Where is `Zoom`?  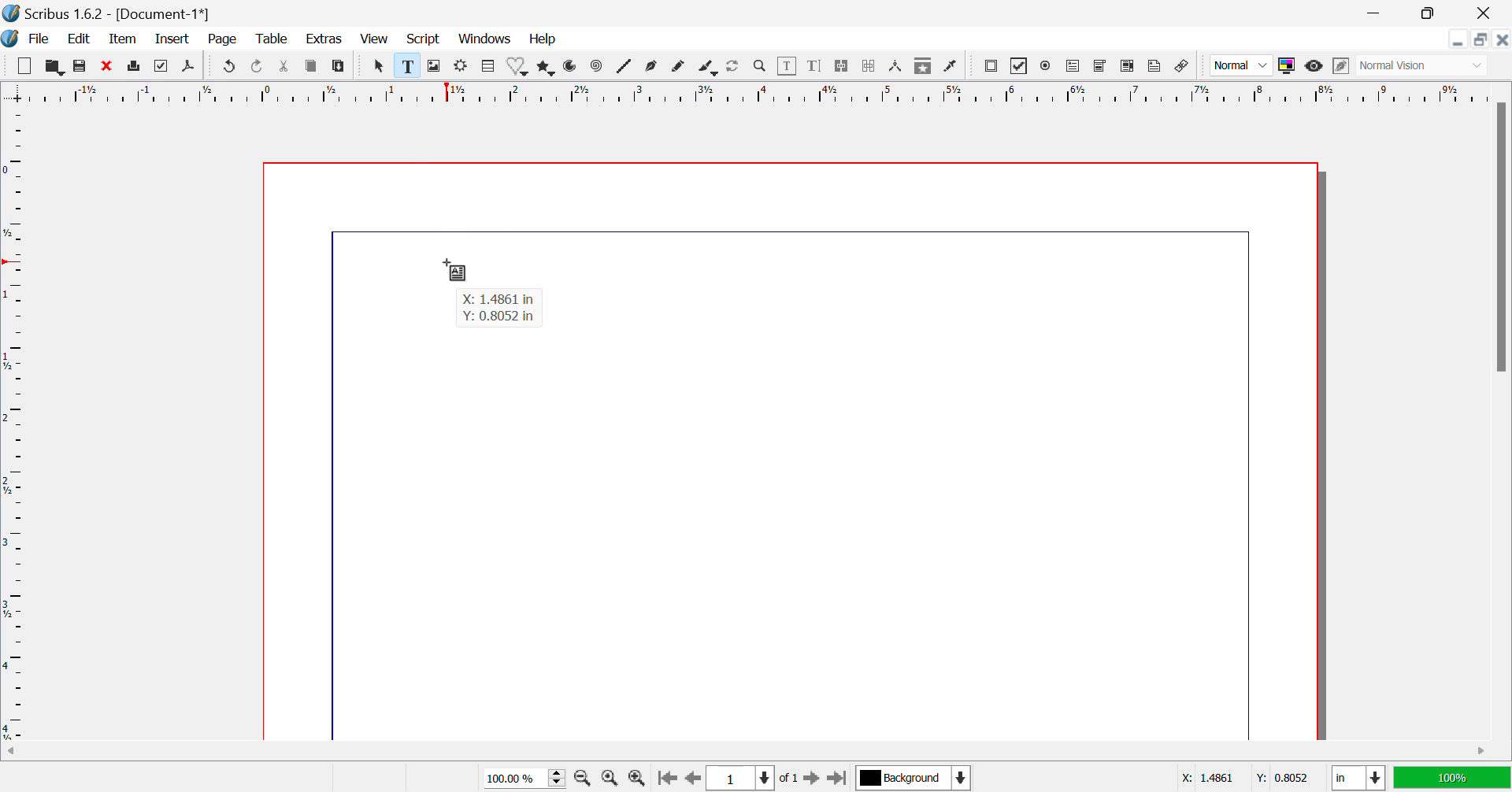 Zoom is located at coordinates (762, 68).